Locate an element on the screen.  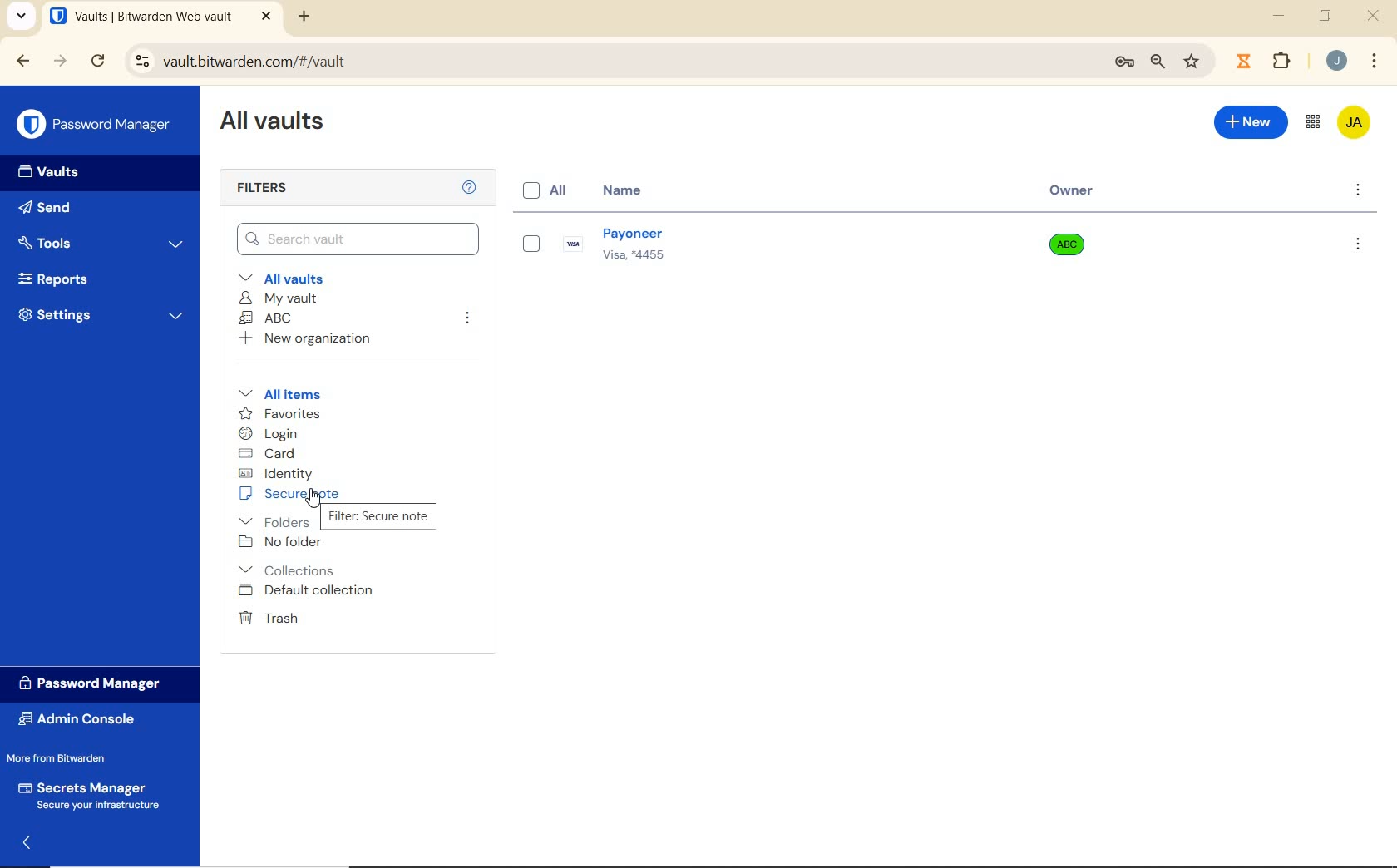
All vaults is located at coordinates (284, 277).